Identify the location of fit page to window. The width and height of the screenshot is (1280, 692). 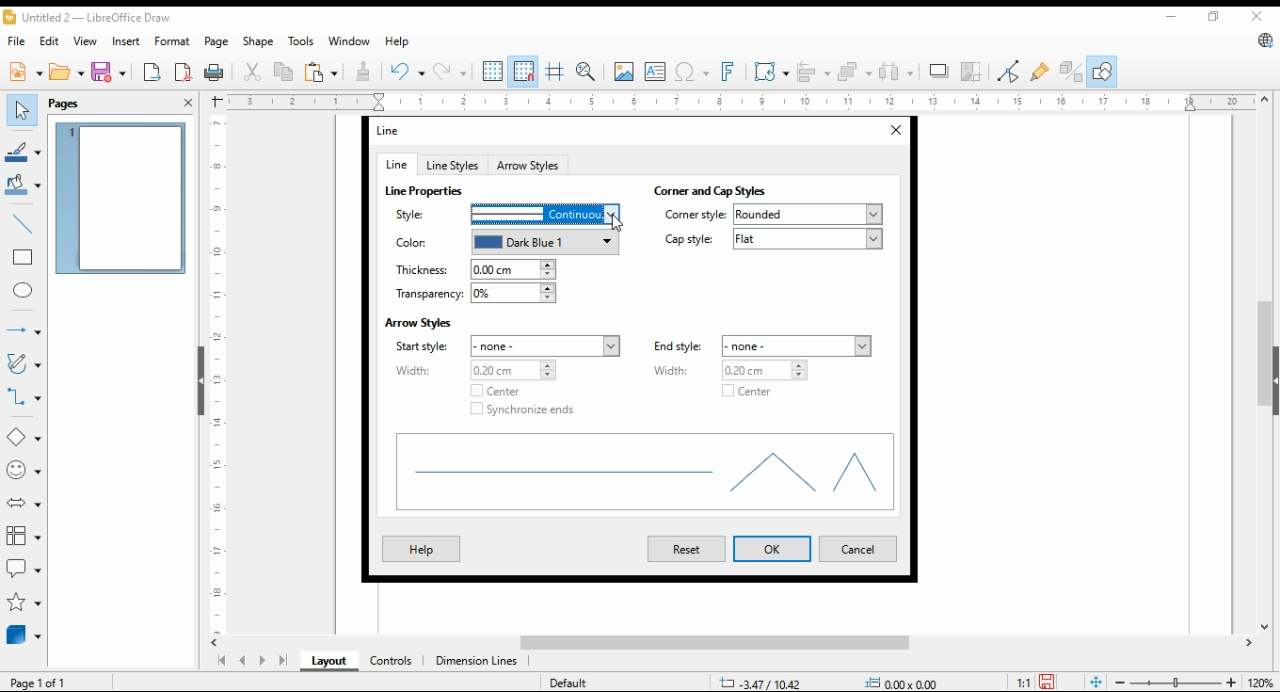
(1096, 683).